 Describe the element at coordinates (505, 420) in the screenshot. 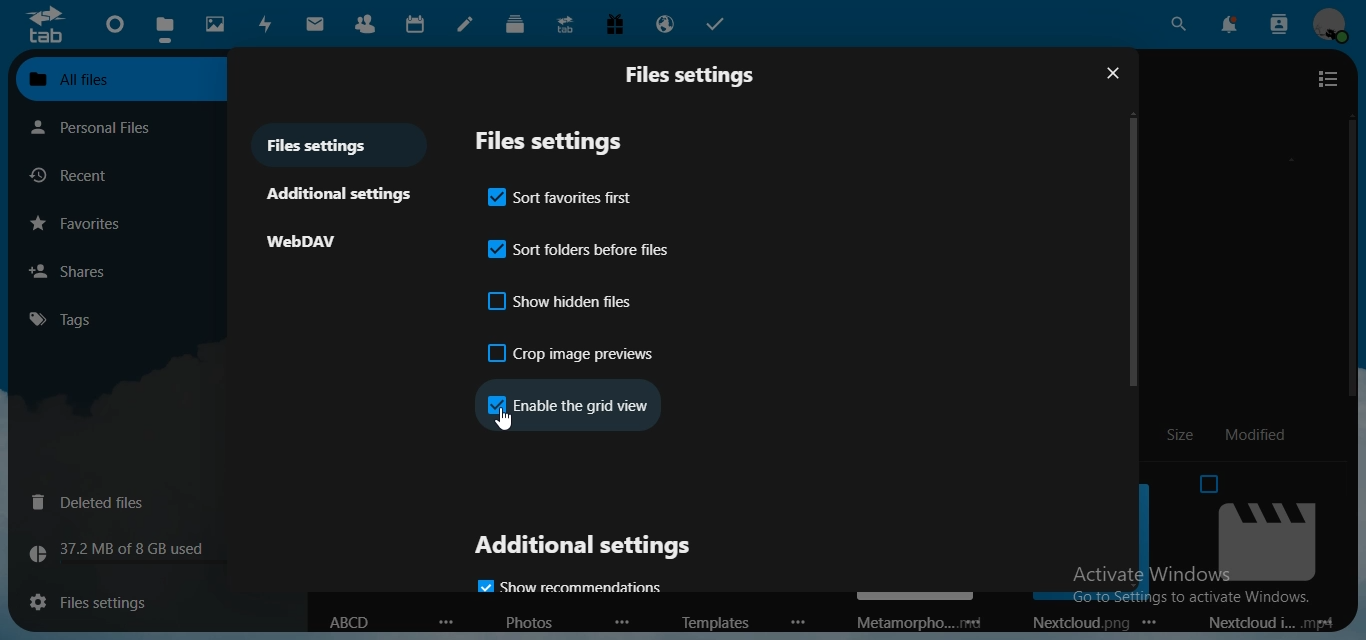

I see `cursor` at that location.